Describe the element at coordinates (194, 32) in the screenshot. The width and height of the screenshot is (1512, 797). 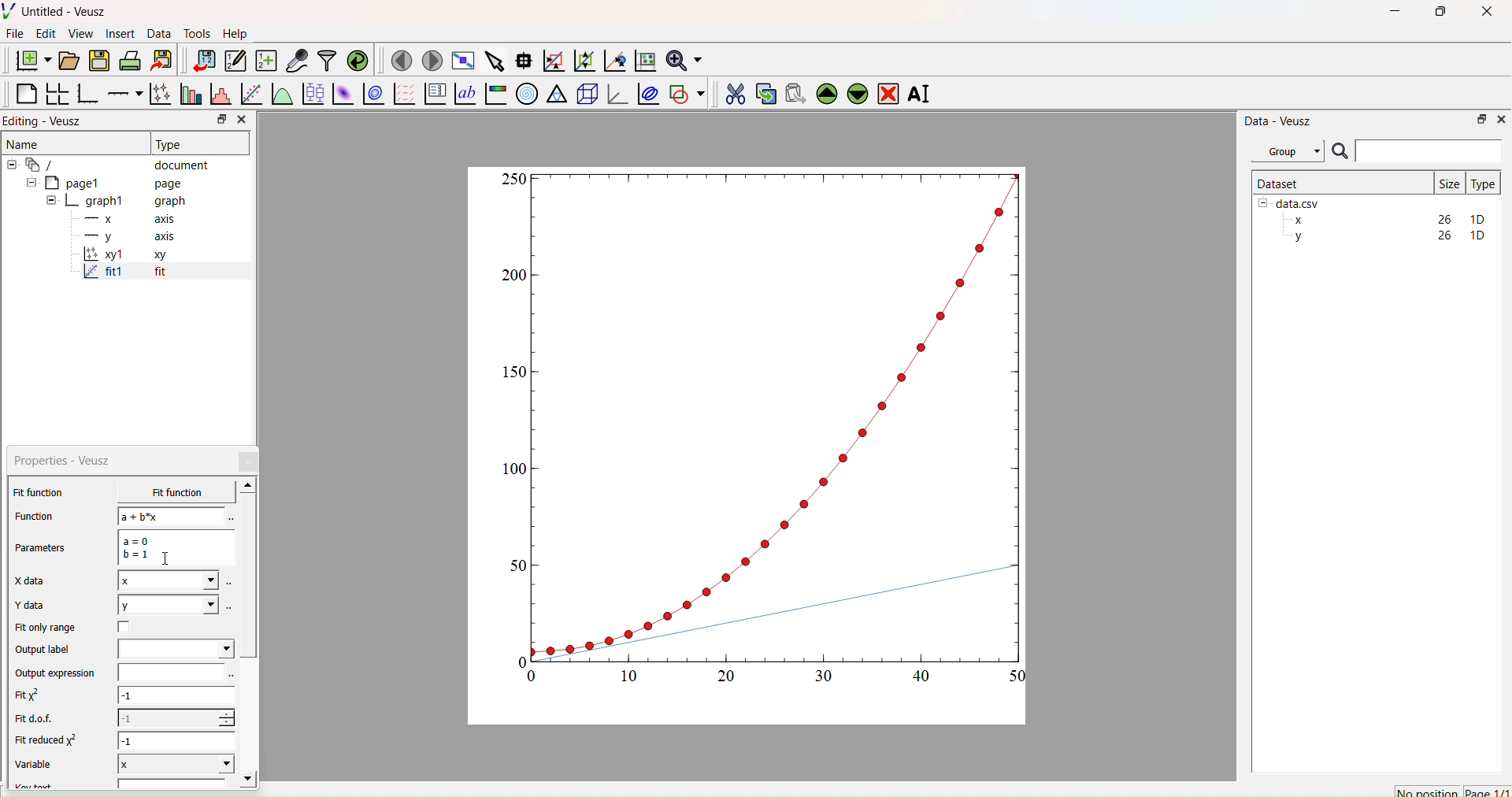
I see `Tools` at that location.